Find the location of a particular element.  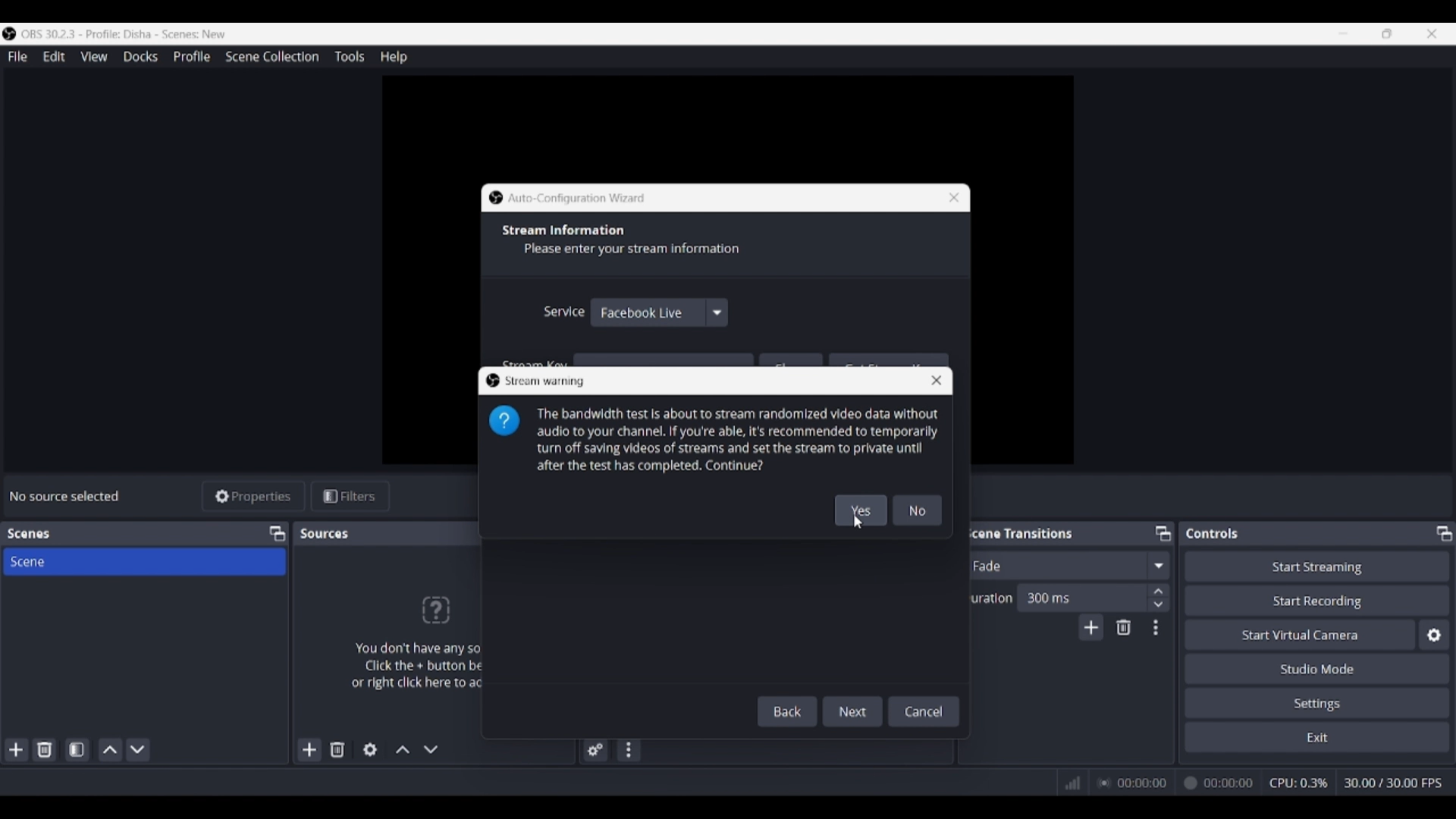

Cancel is located at coordinates (924, 710).